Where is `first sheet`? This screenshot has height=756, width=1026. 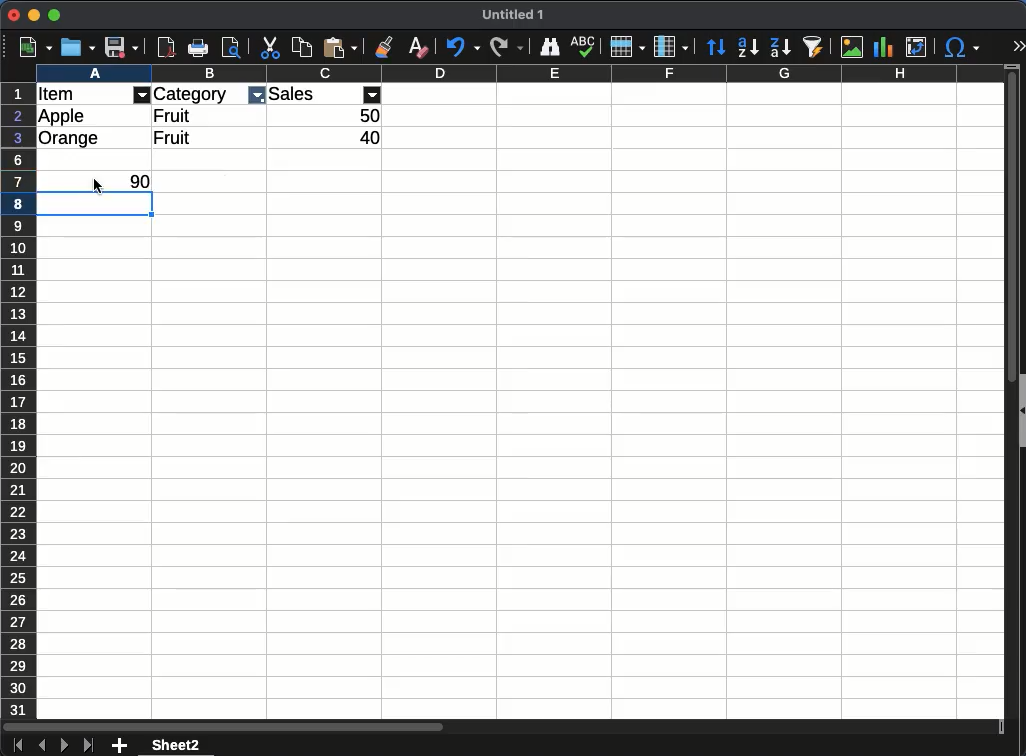 first sheet is located at coordinates (17, 746).